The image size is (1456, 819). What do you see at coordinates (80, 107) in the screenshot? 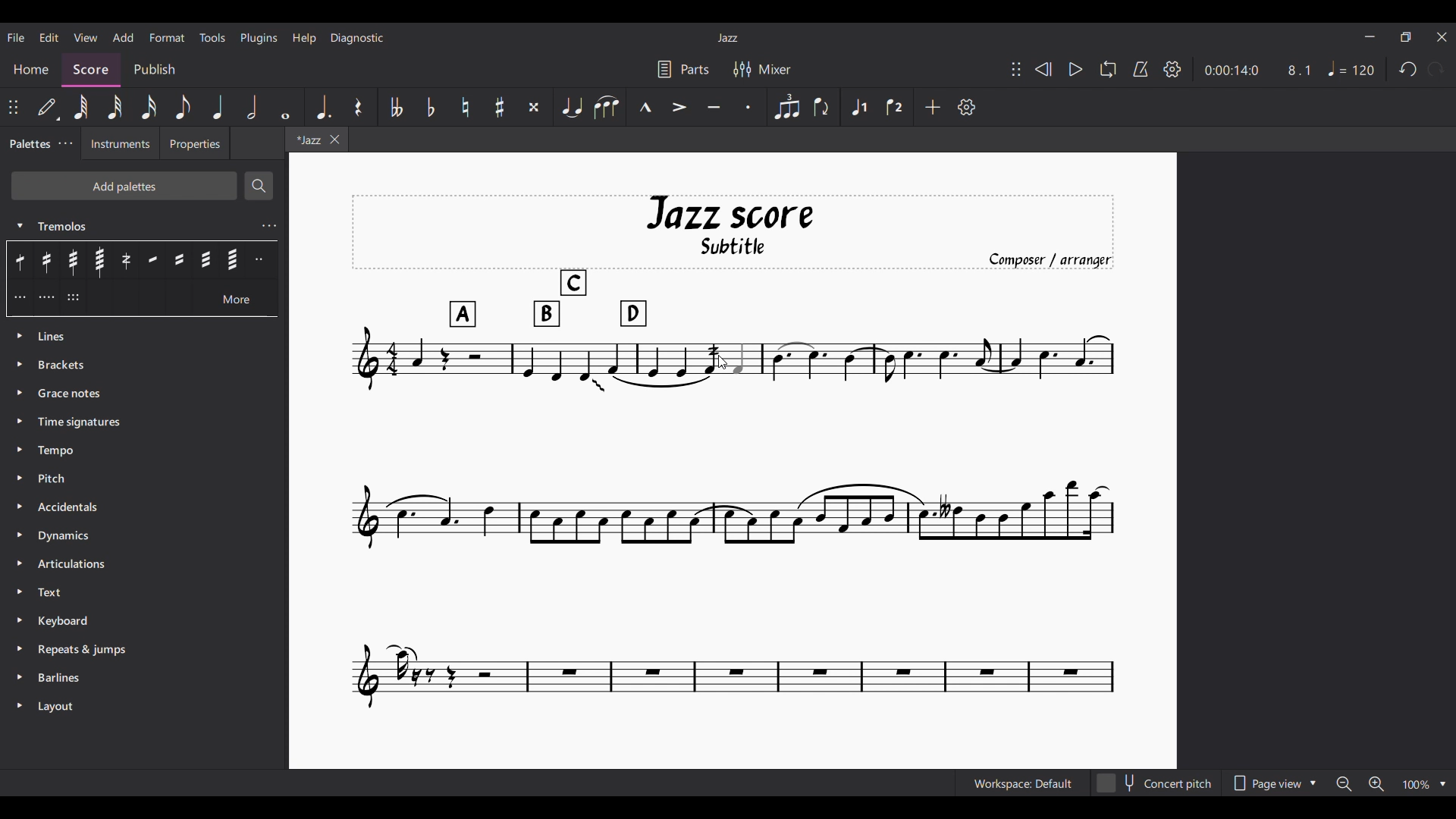
I see `64th note` at bounding box center [80, 107].